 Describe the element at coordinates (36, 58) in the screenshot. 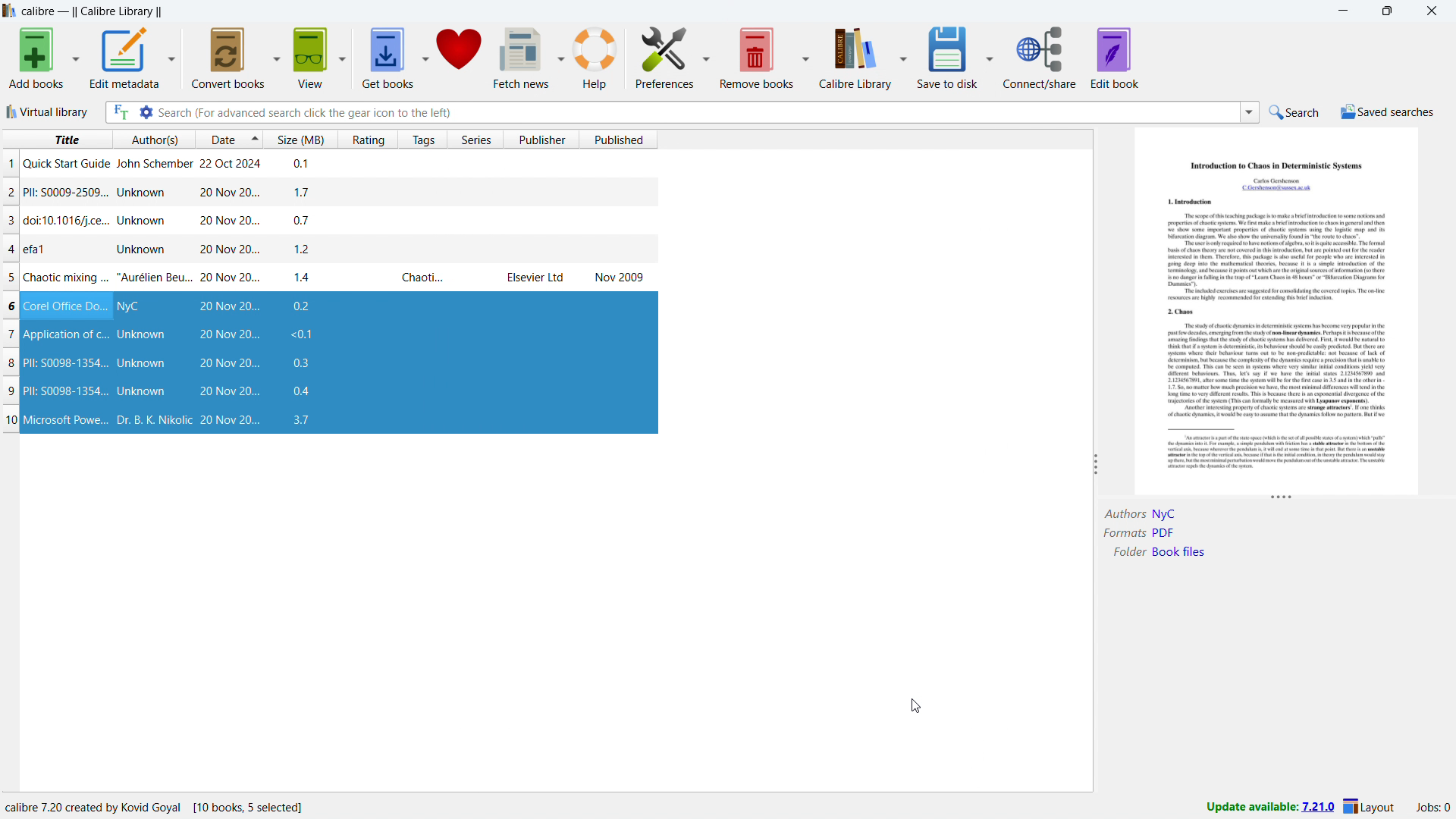

I see `add books ` at that location.